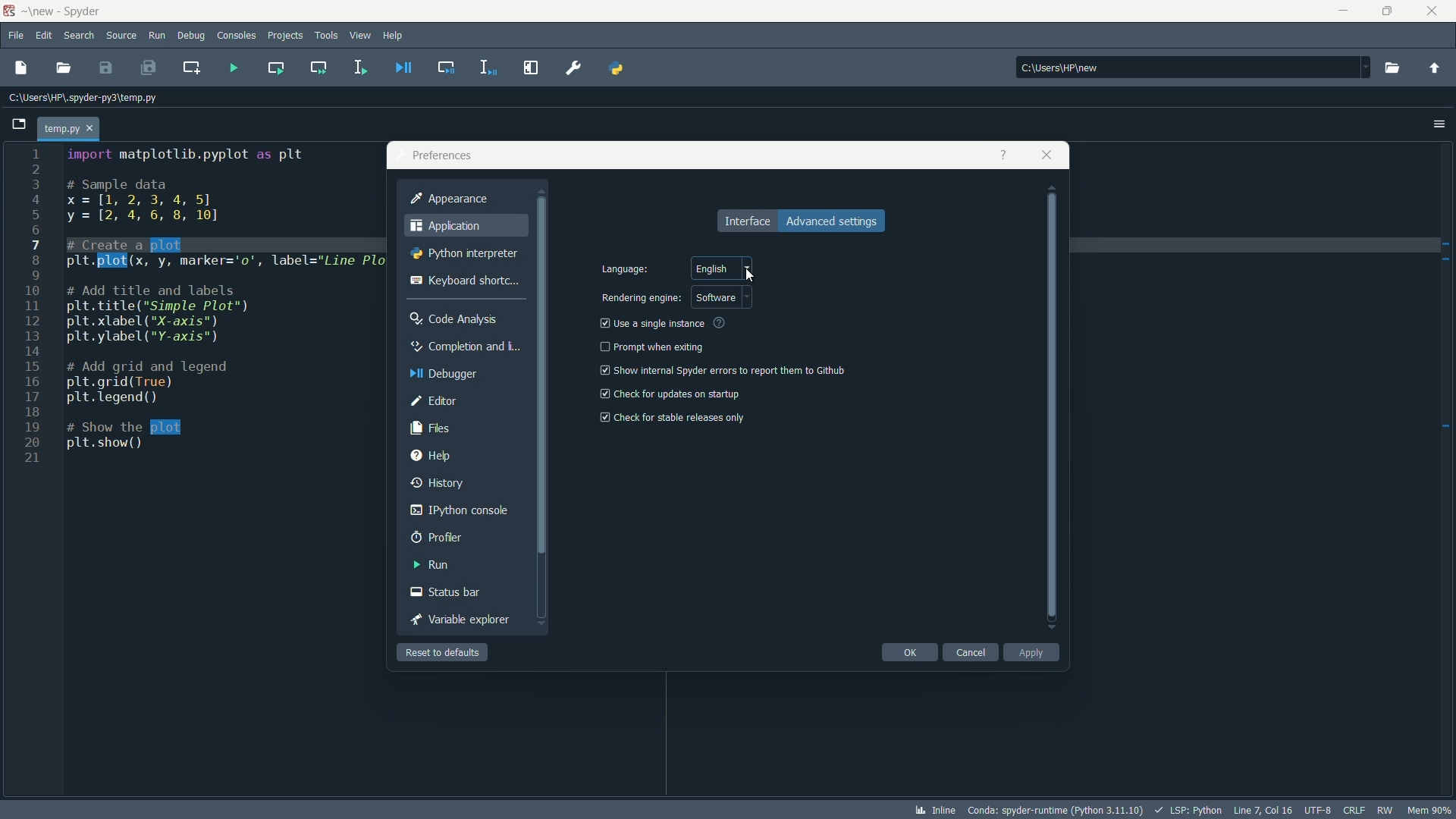 This screenshot has width=1456, height=819. I want to click on maximize current pane, so click(530, 67).